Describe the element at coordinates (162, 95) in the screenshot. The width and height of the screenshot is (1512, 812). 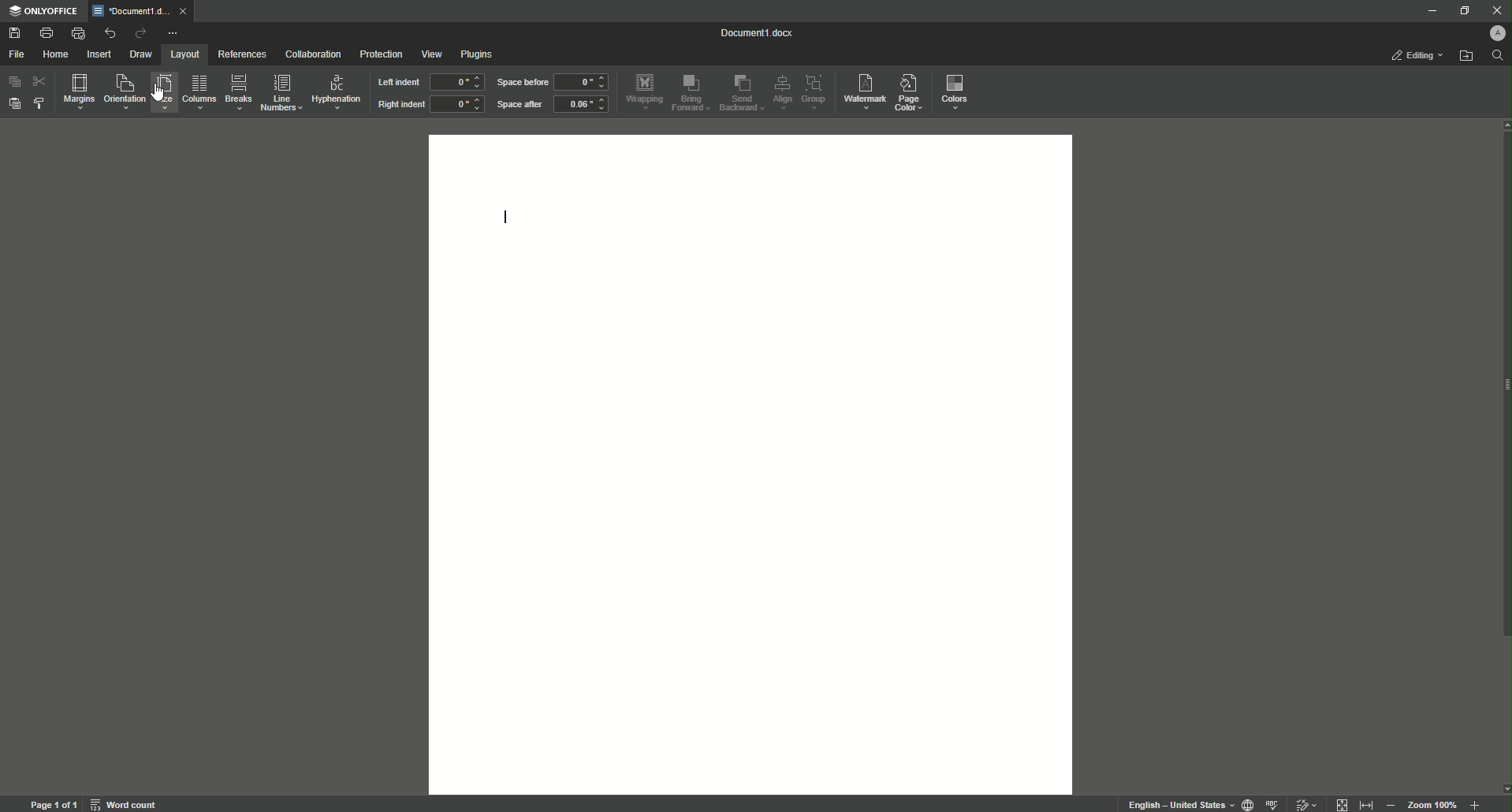
I see `Size` at that location.